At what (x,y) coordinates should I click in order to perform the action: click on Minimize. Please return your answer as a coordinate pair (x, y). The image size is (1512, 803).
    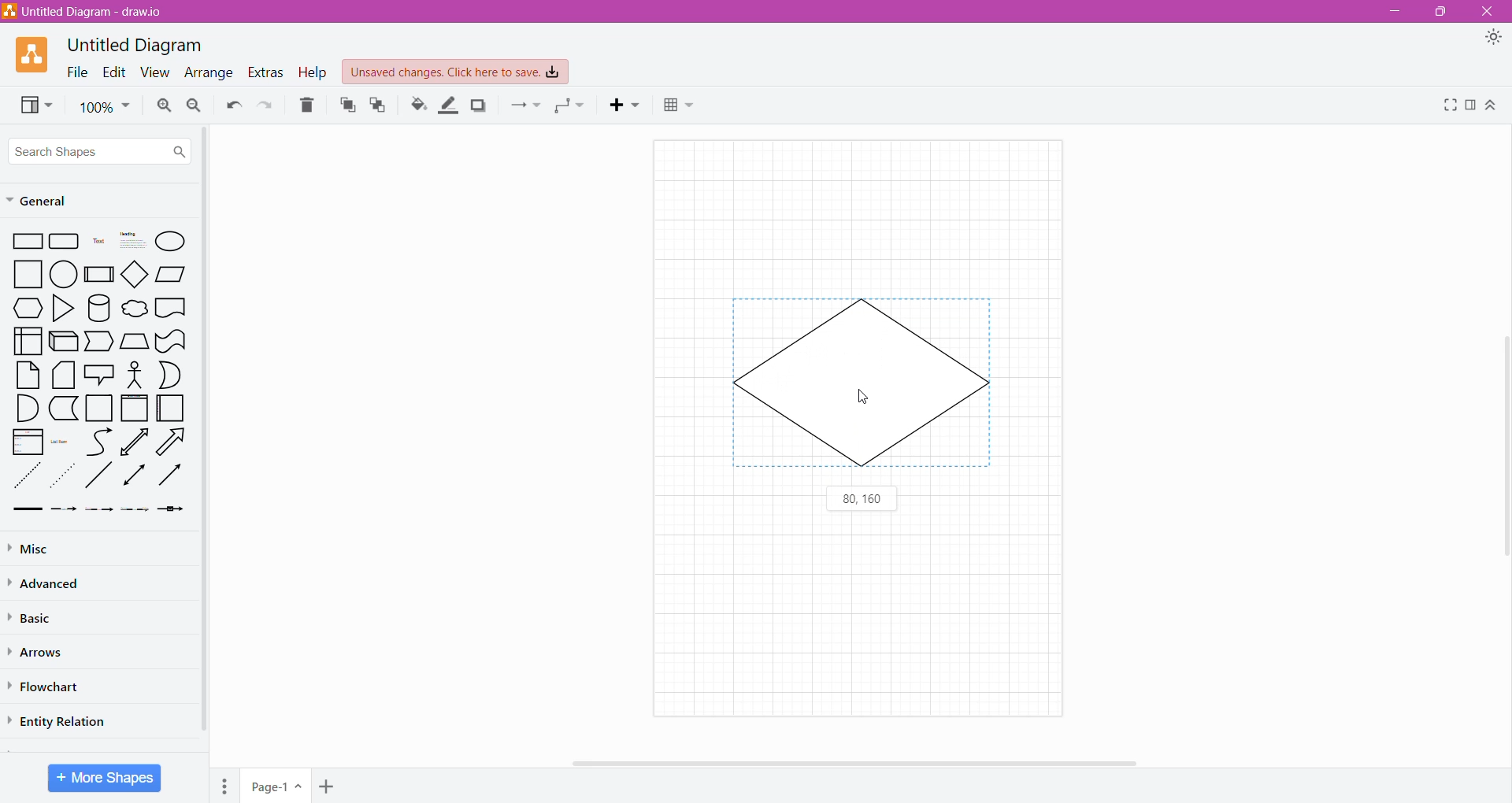
    Looking at the image, I should click on (1391, 11).